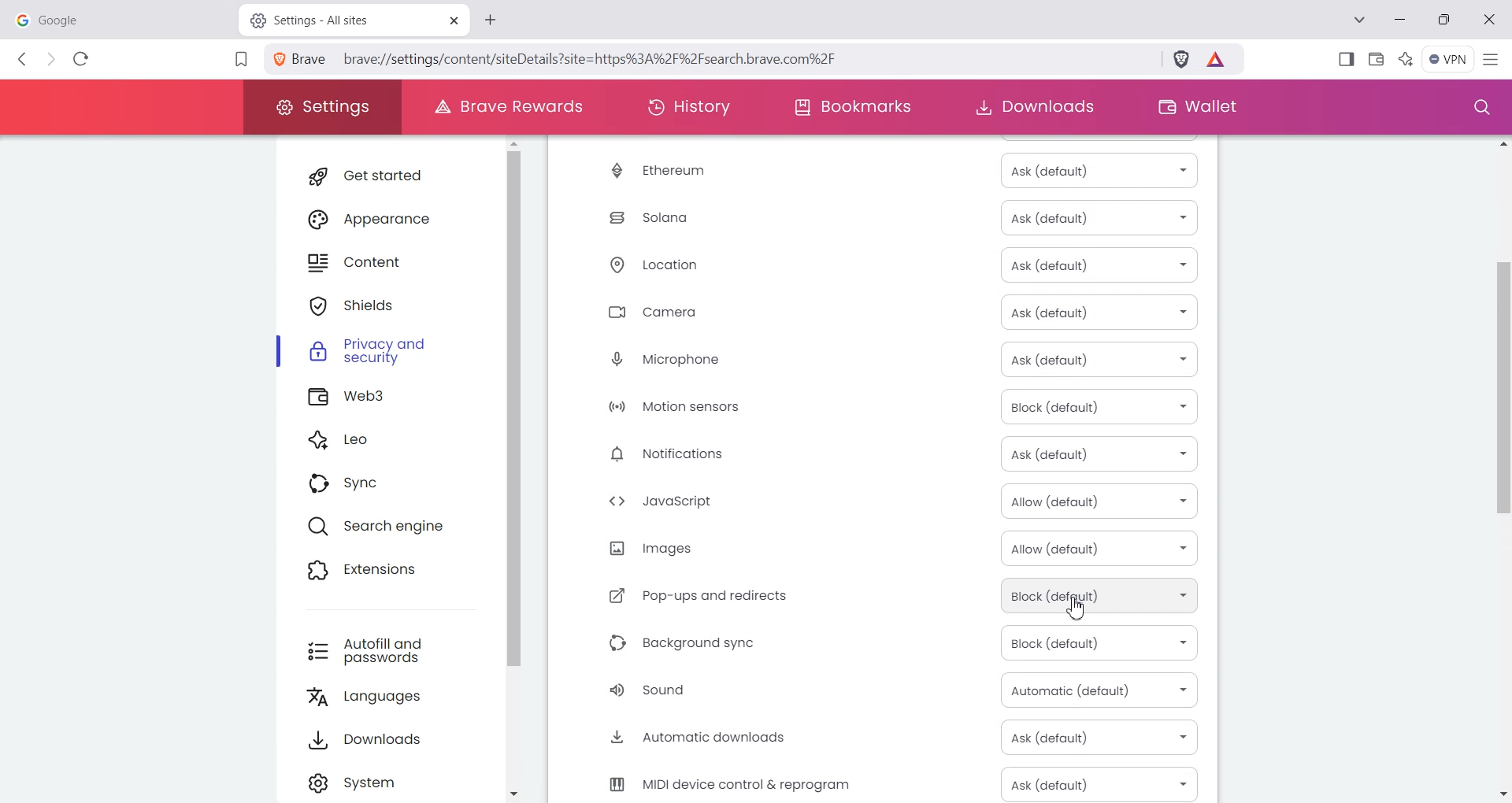  I want to click on Leo, so click(389, 442).